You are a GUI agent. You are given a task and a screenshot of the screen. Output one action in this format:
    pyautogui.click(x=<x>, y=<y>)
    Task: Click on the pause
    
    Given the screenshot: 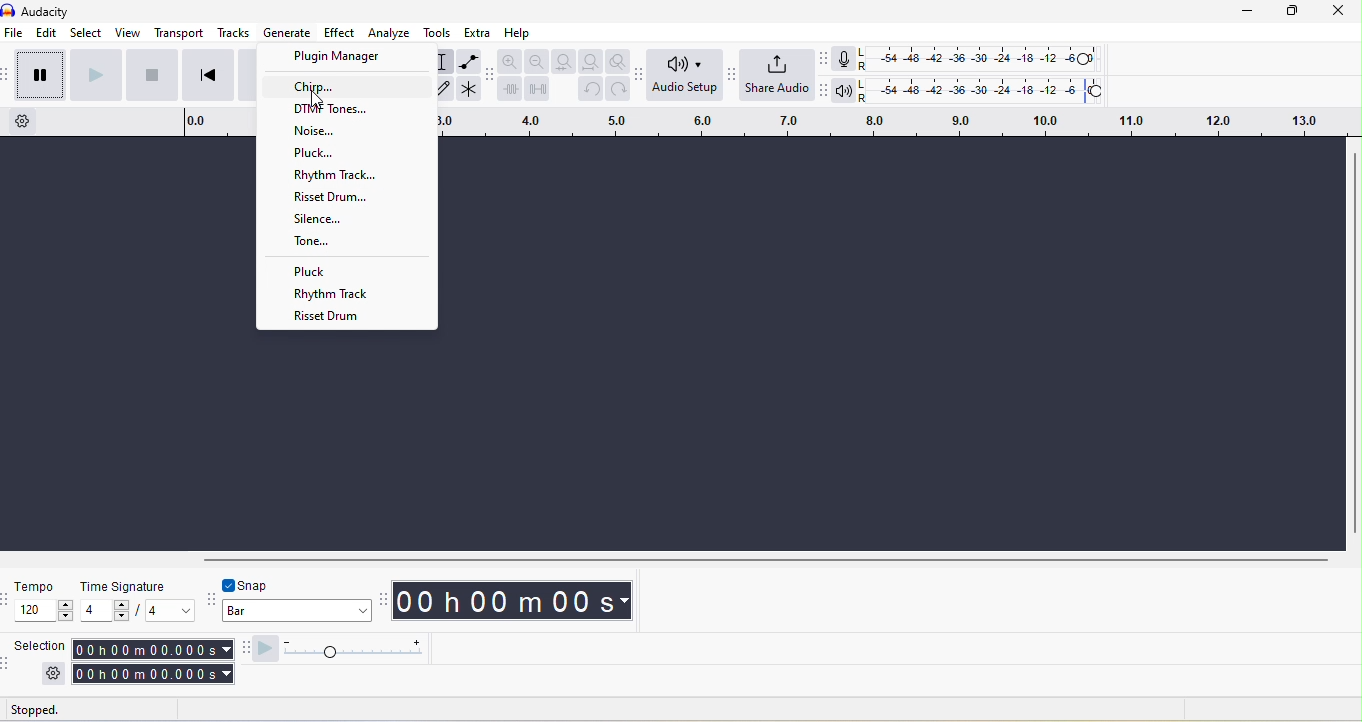 What is the action you would take?
    pyautogui.click(x=38, y=75)
    